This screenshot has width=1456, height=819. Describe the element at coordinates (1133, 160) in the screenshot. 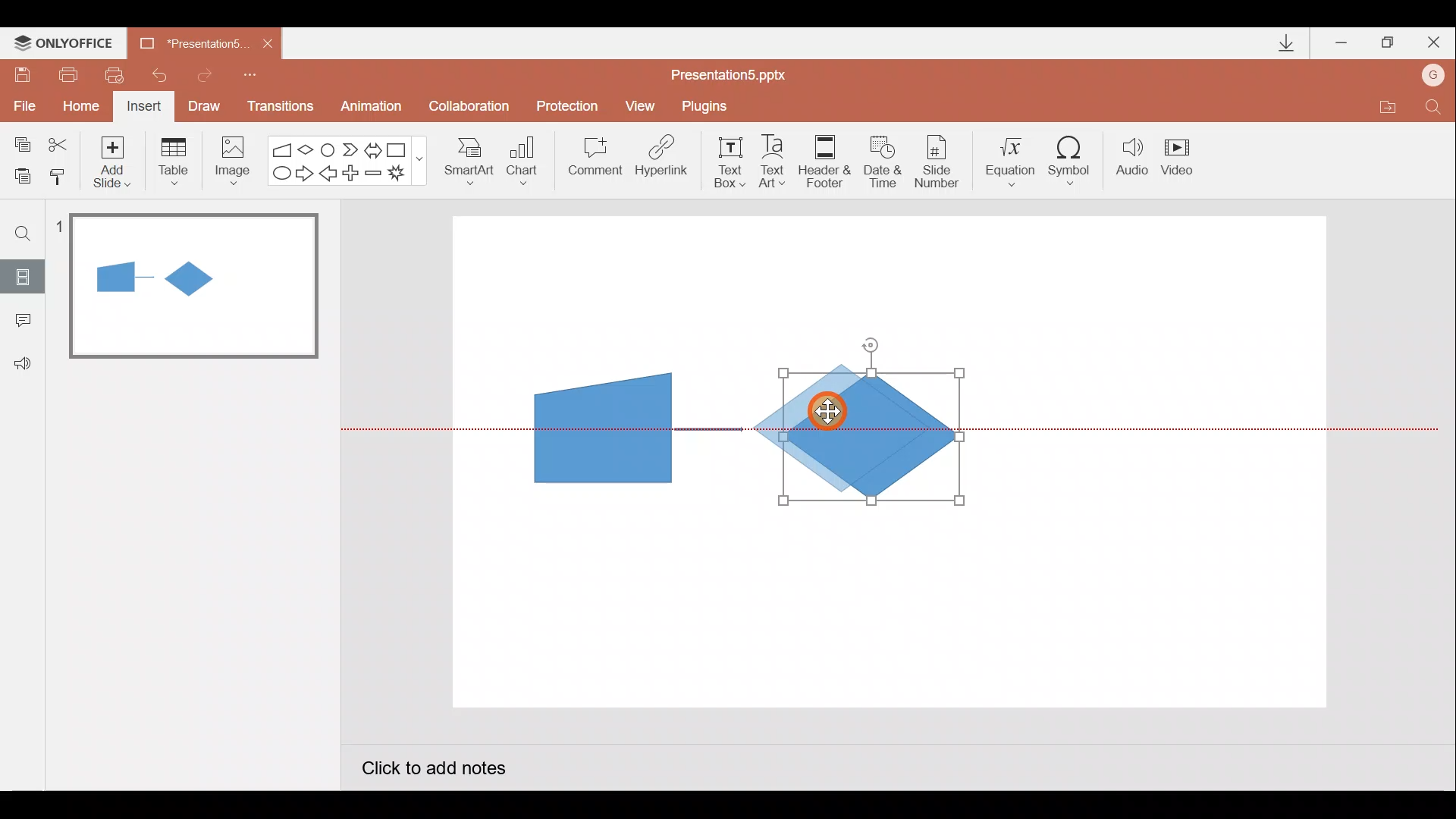

I see `Audio` at that location.